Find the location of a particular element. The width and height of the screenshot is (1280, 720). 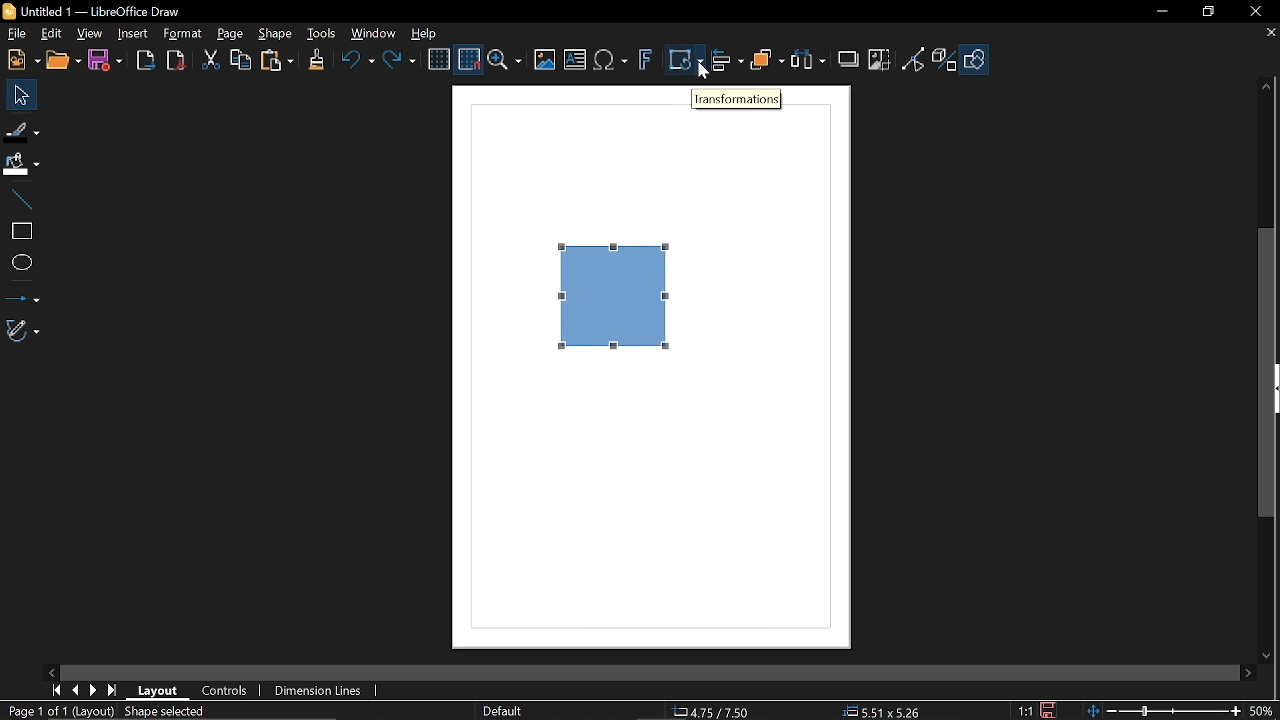

Insert equation is located at coordinates (611, 61).